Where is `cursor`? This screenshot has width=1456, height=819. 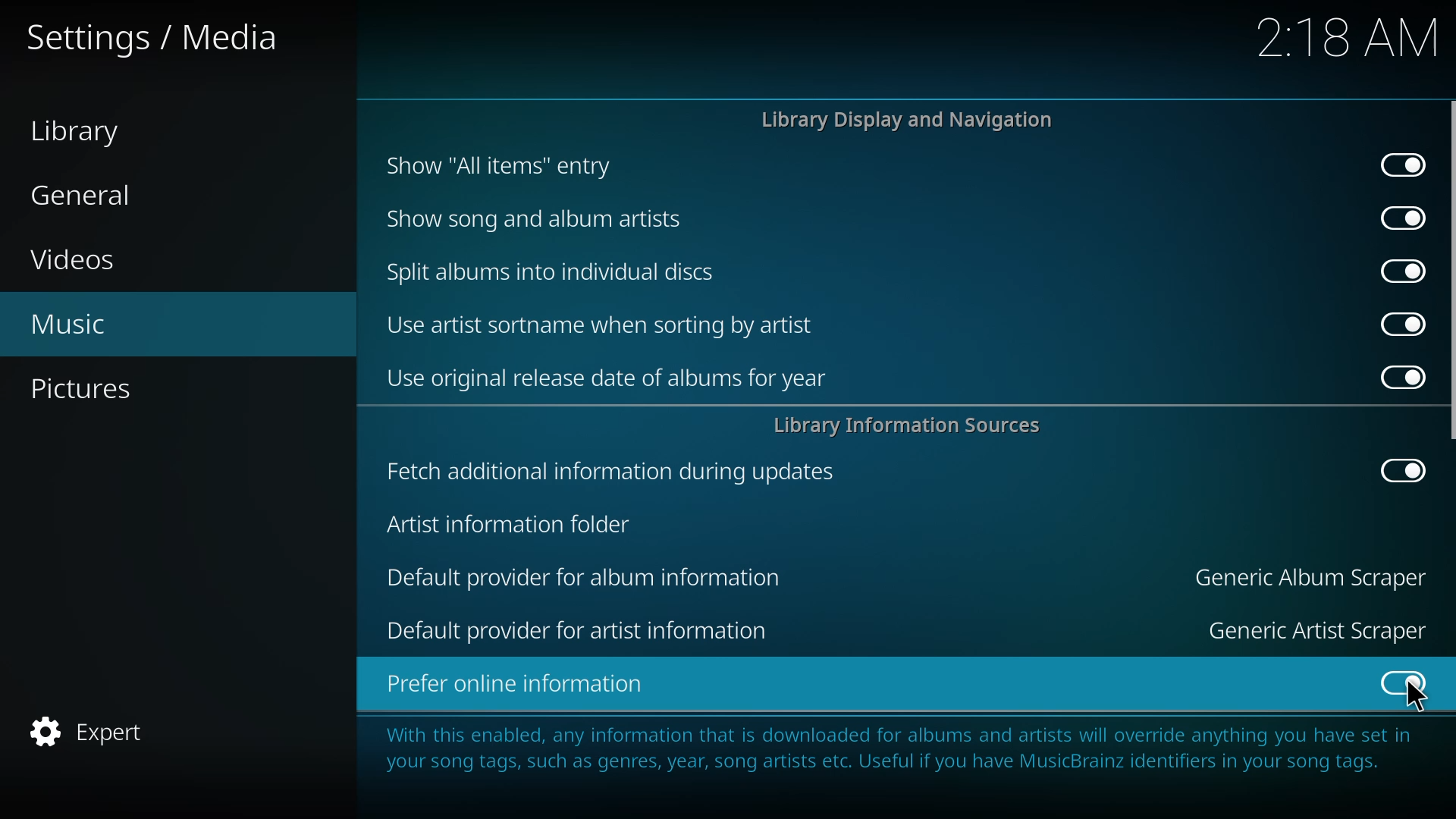
cursor is located at coordinates (1419, 699).